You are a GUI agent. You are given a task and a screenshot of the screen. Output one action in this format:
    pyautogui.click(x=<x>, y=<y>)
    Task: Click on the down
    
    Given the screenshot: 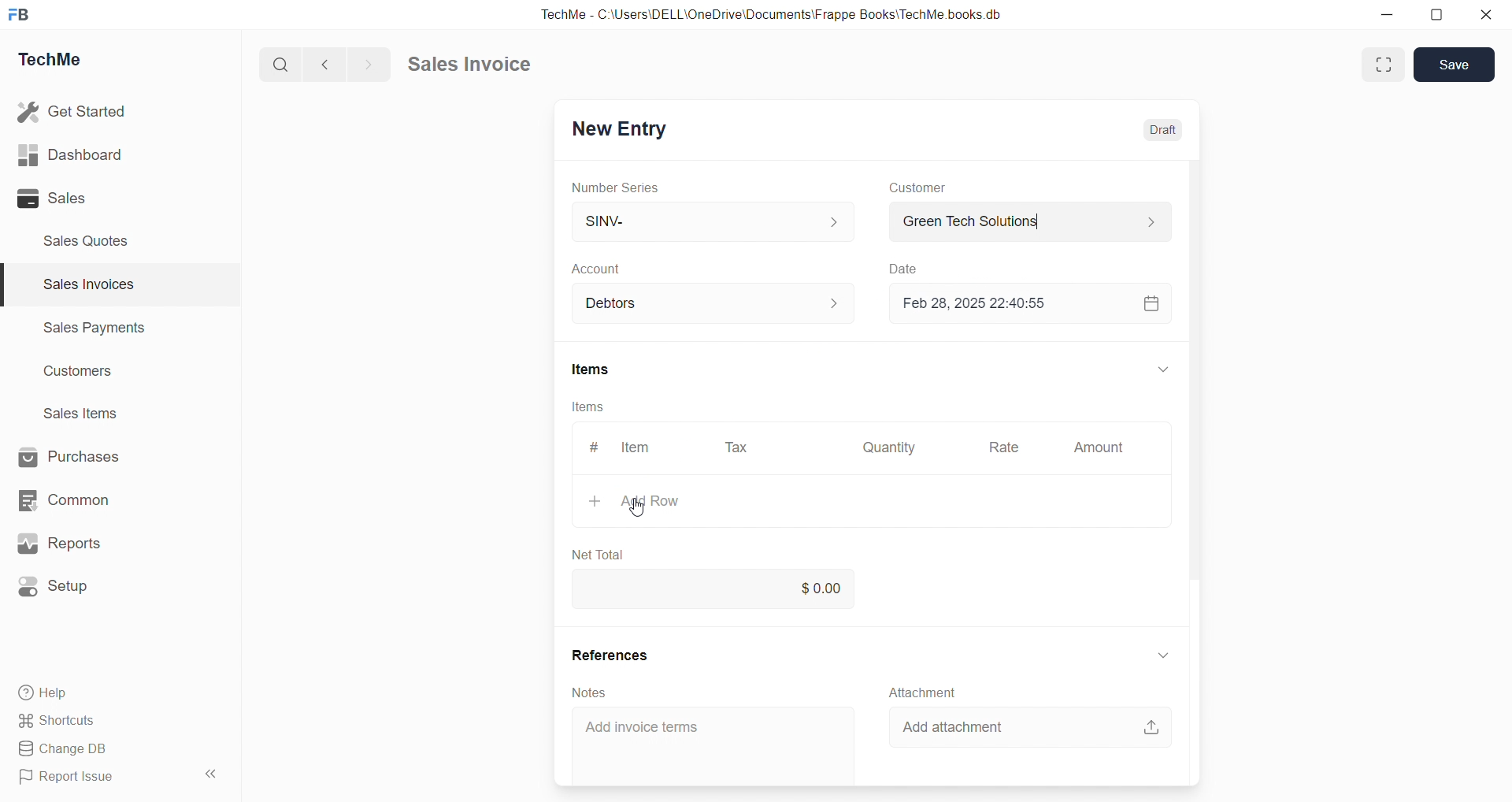 What is the action you would take?
    pyautogui.click(x=1162, y=657)
    